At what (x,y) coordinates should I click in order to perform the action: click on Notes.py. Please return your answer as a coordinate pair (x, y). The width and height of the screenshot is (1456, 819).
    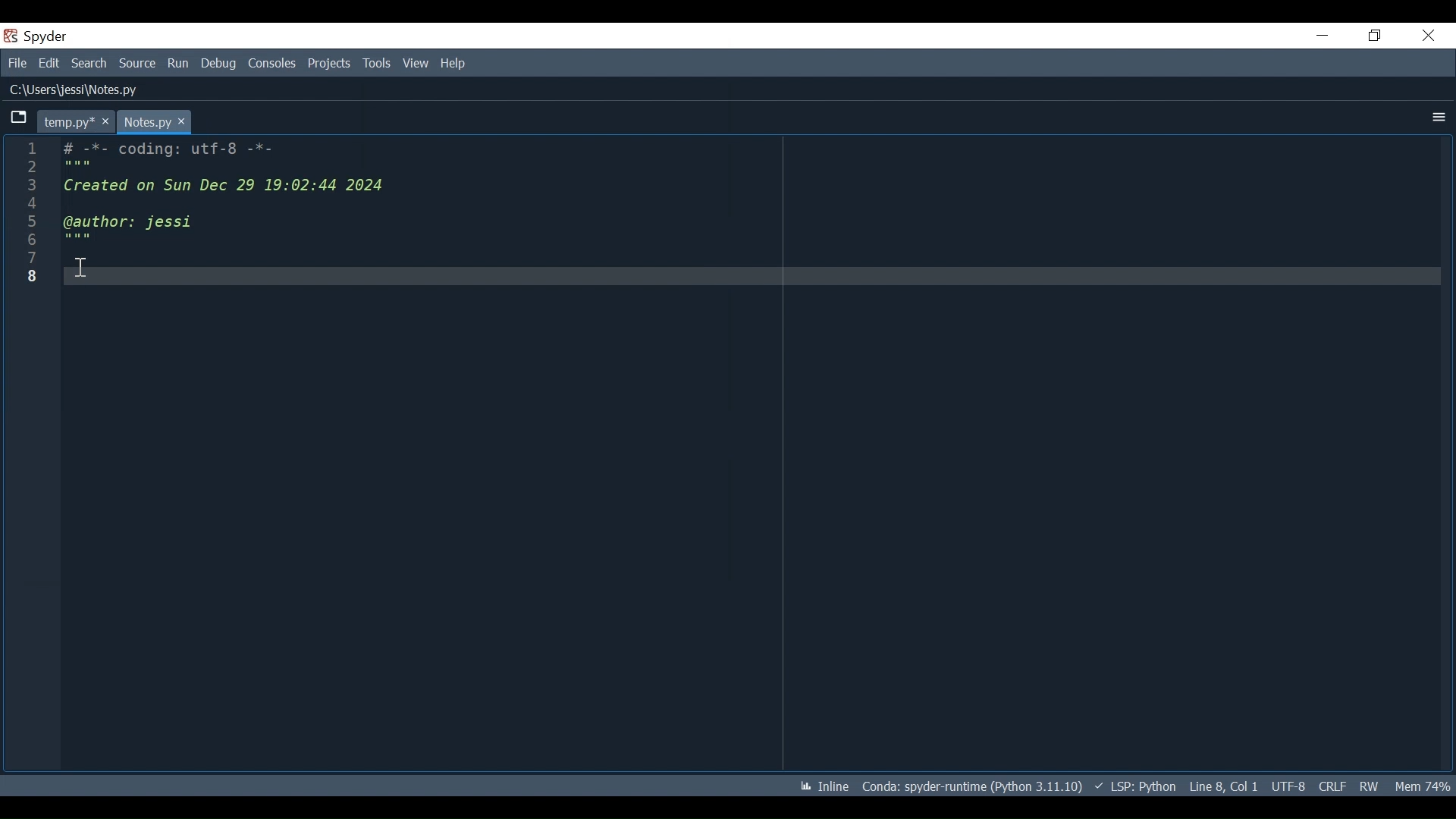
    Looking at the image, I should click on (155, 121).